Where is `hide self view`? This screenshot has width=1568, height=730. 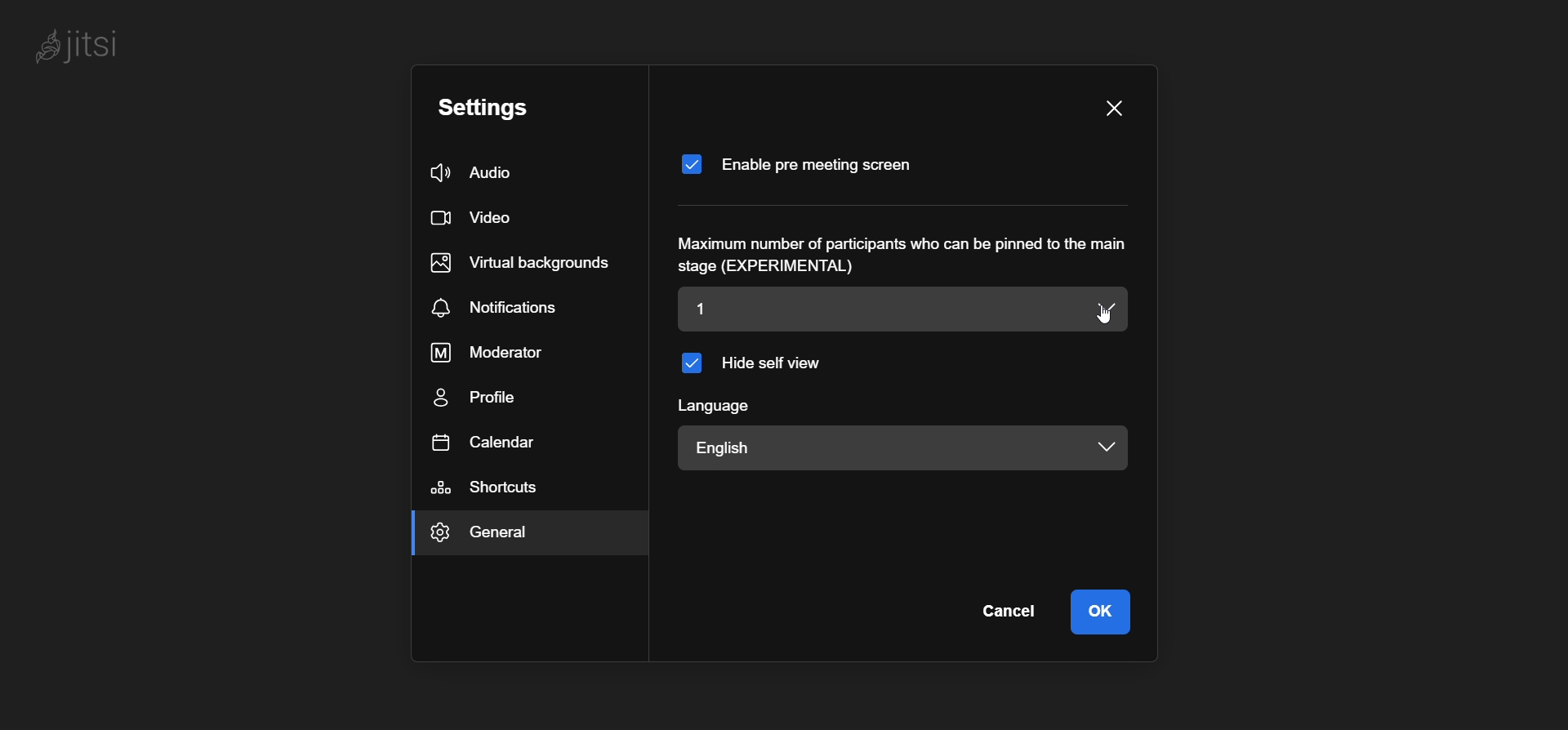
hide self view is located at coordinates (753, 362).